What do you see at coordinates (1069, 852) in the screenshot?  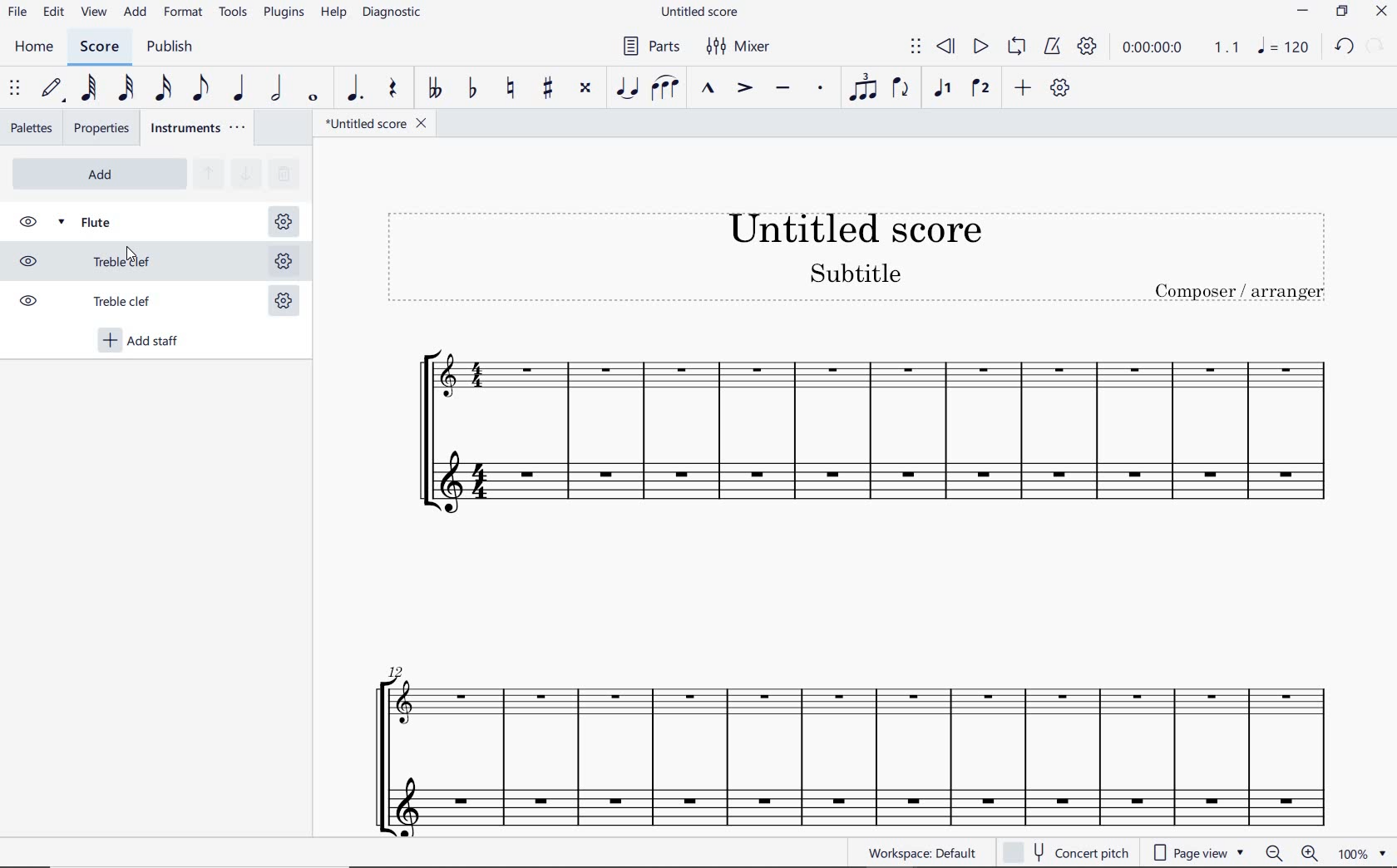 I see `concert pitch` at bounding box center [1069, 852].